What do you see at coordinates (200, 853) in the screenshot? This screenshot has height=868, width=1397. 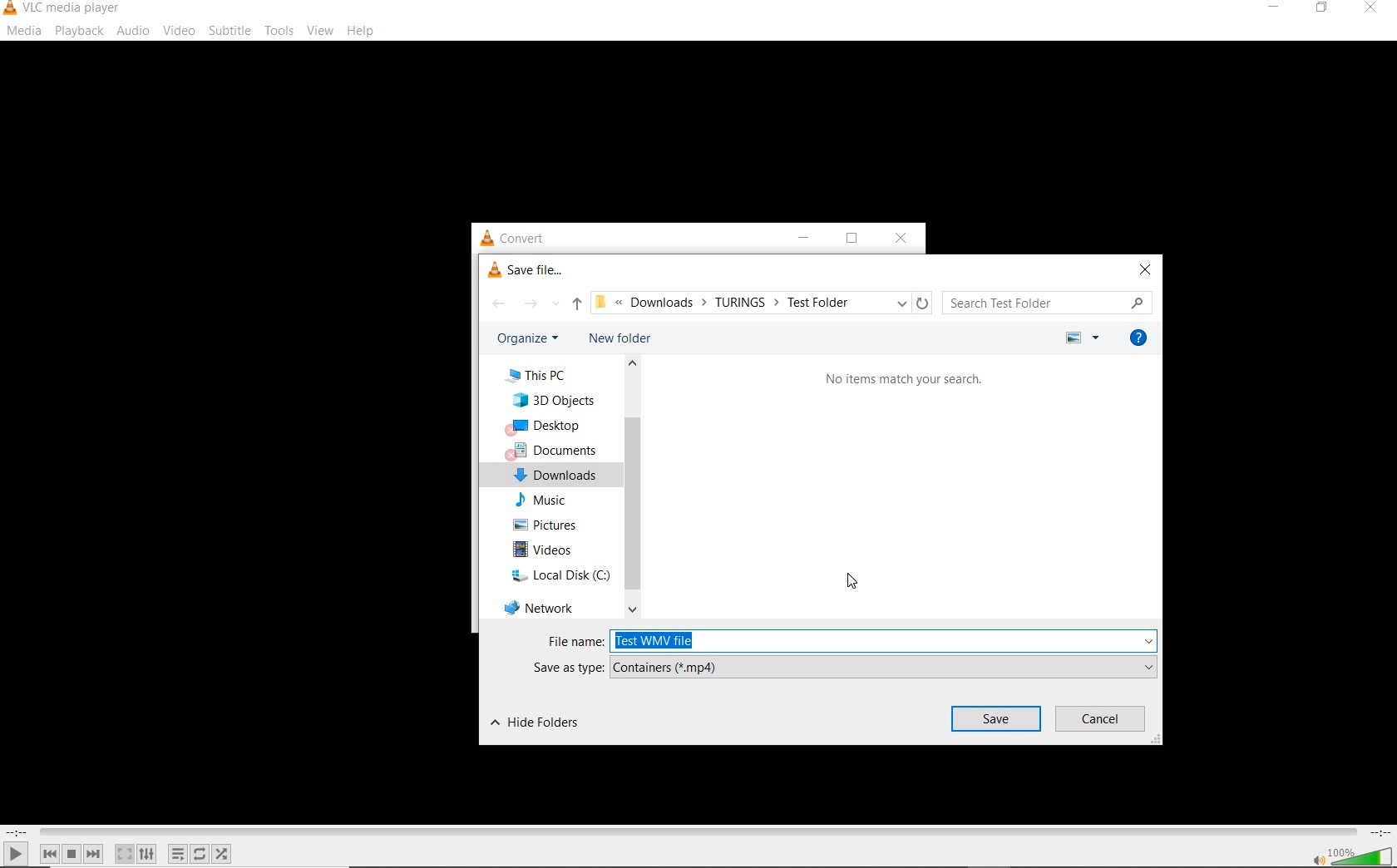 I see `click to toggle between loop all` at bounding box center [200, 853].